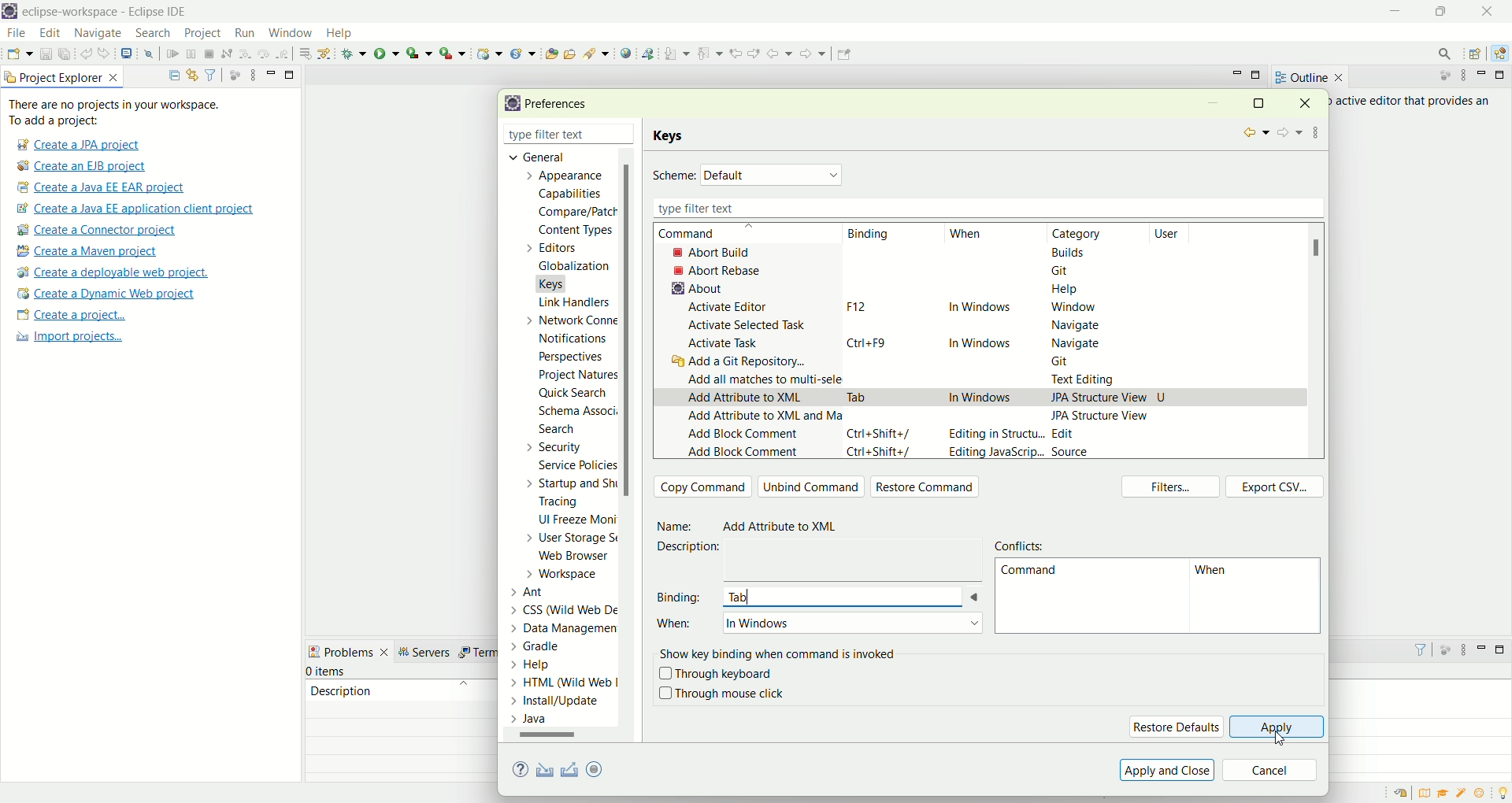 This screenshot has width=1512, height=803. Describe the element at coordinates (1176, 727) in the screenshot. I see `restore default` at that location.